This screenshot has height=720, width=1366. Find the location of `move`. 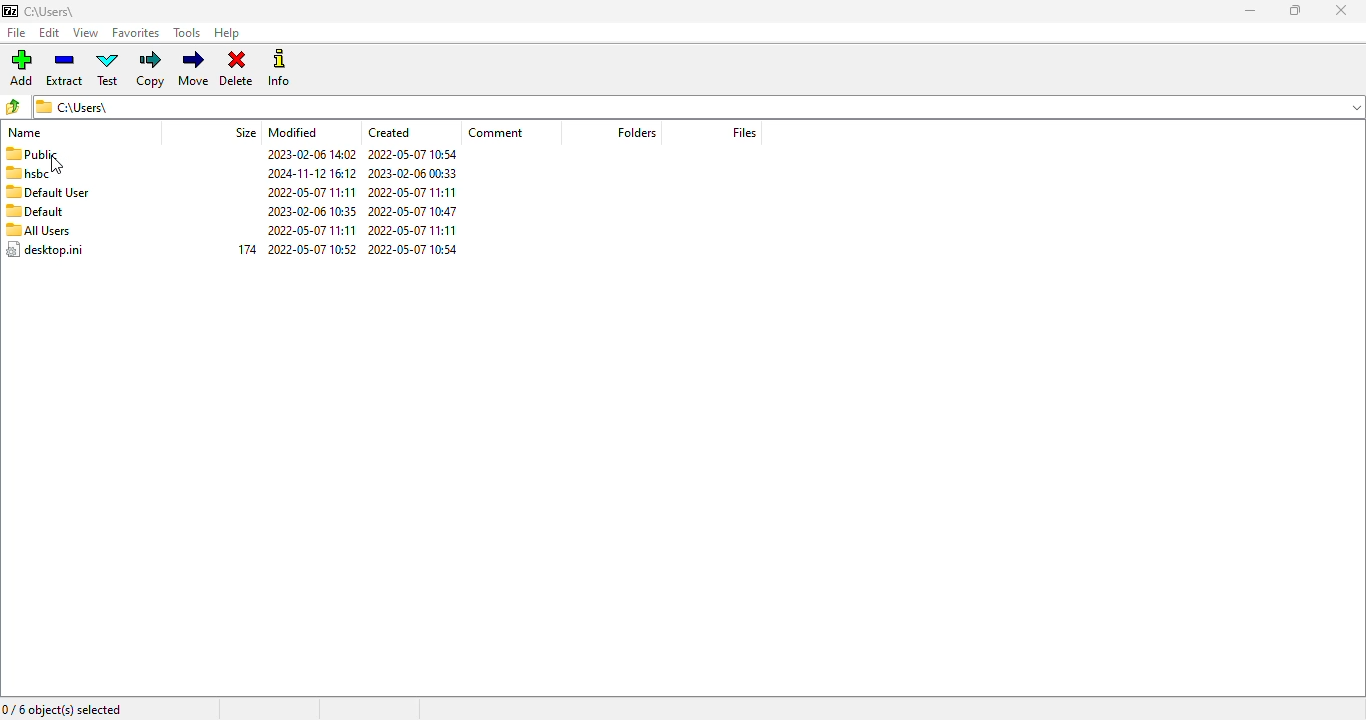

move is located at coordinates (195, 68).